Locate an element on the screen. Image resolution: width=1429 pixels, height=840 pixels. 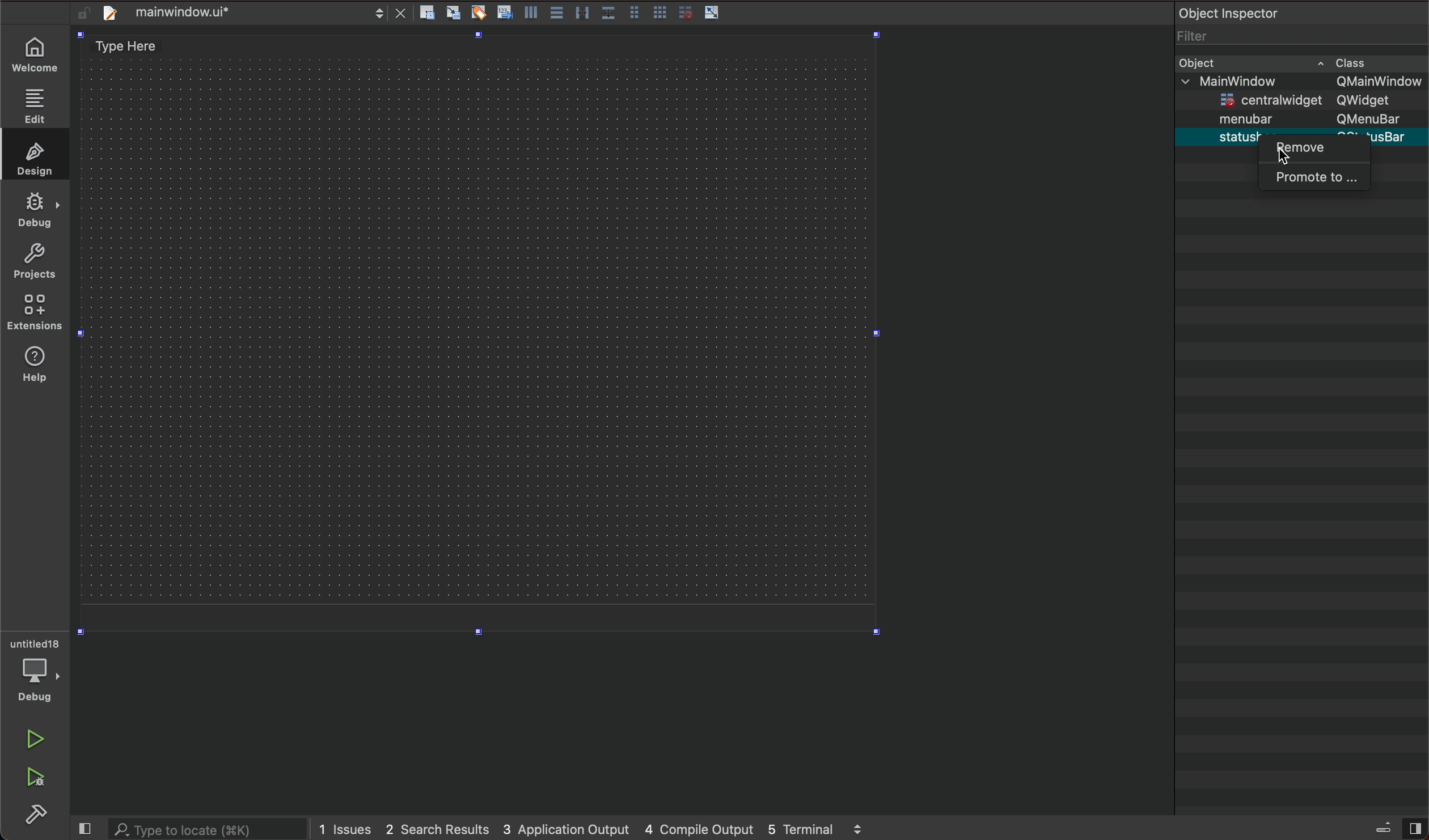
close slide bar is located at coordinates (84, 826).